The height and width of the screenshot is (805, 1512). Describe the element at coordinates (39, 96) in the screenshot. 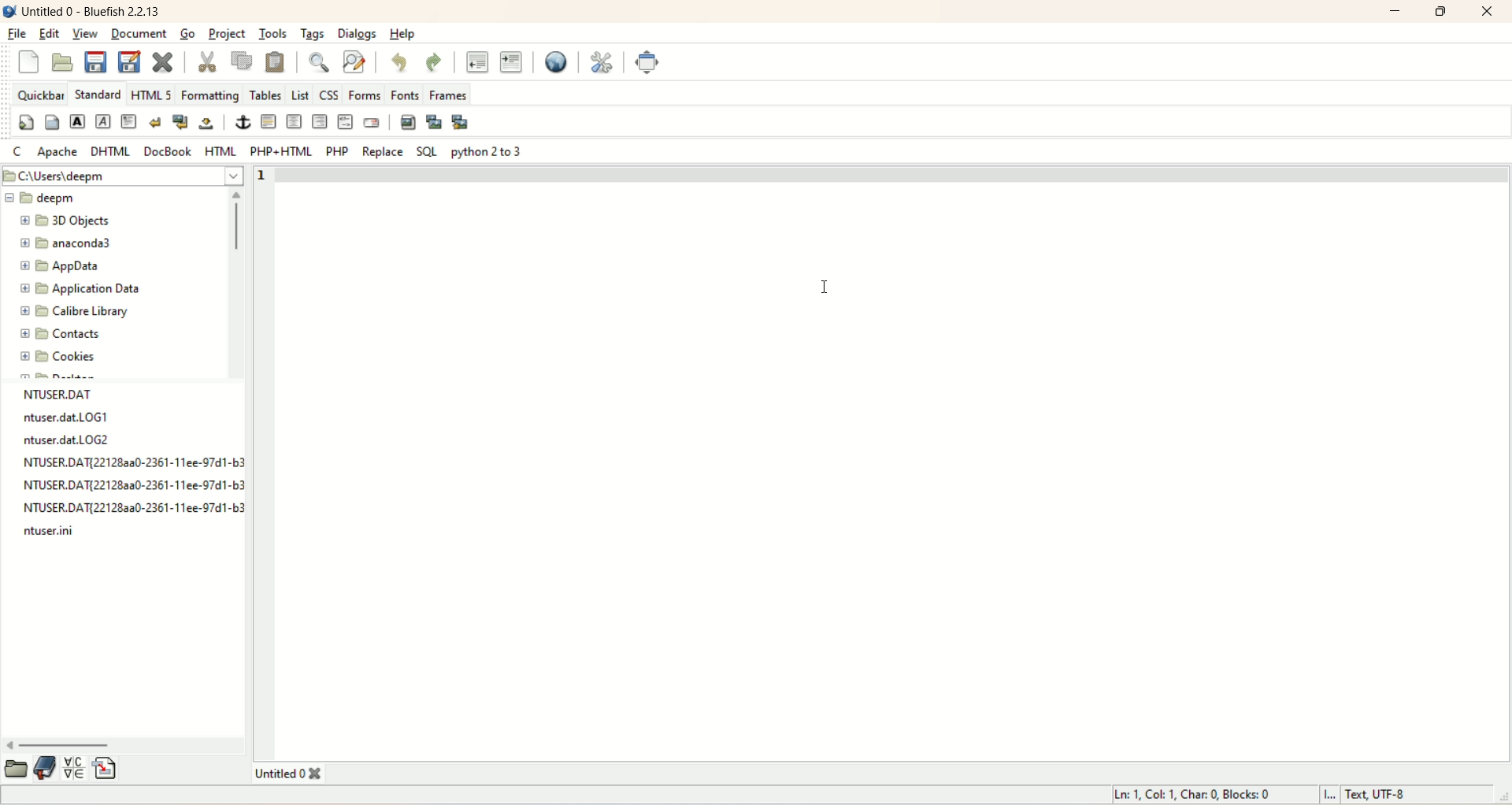

I see `quickbar` at that location.